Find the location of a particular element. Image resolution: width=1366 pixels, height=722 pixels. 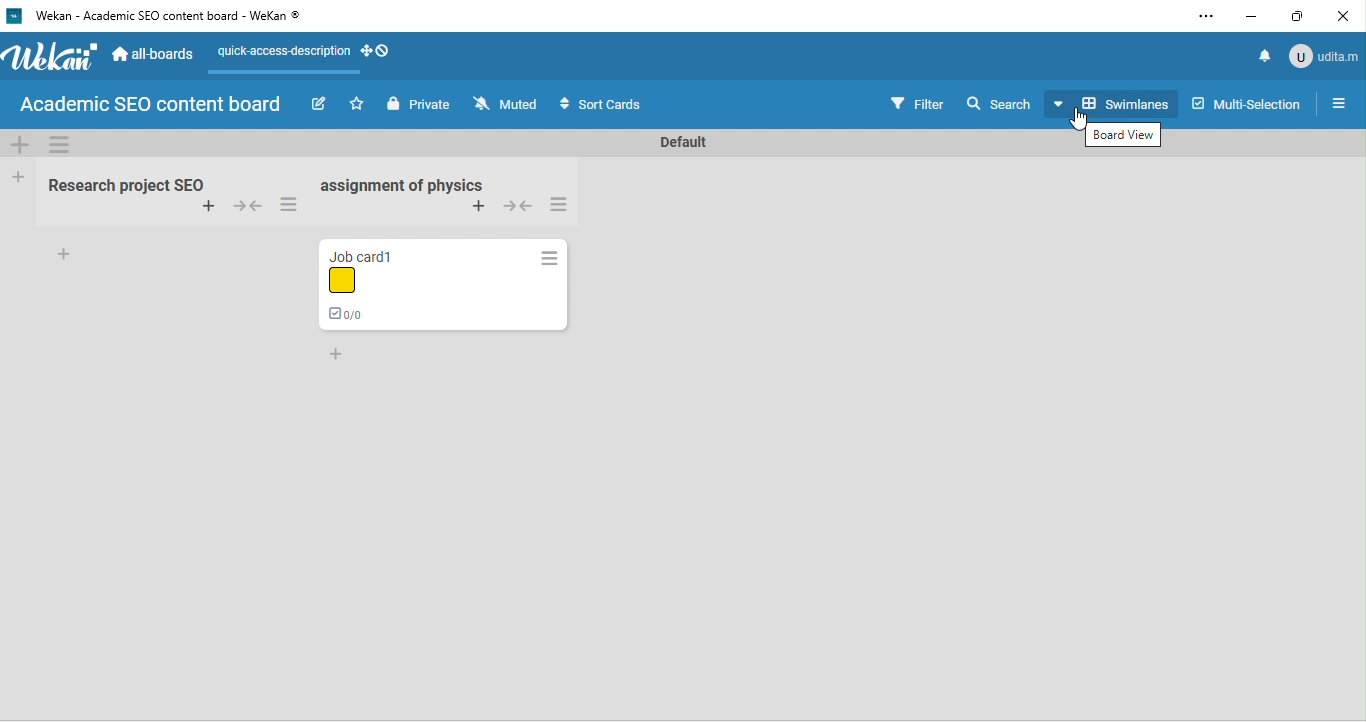

swimlanes is located at coordinates (1115, 102).